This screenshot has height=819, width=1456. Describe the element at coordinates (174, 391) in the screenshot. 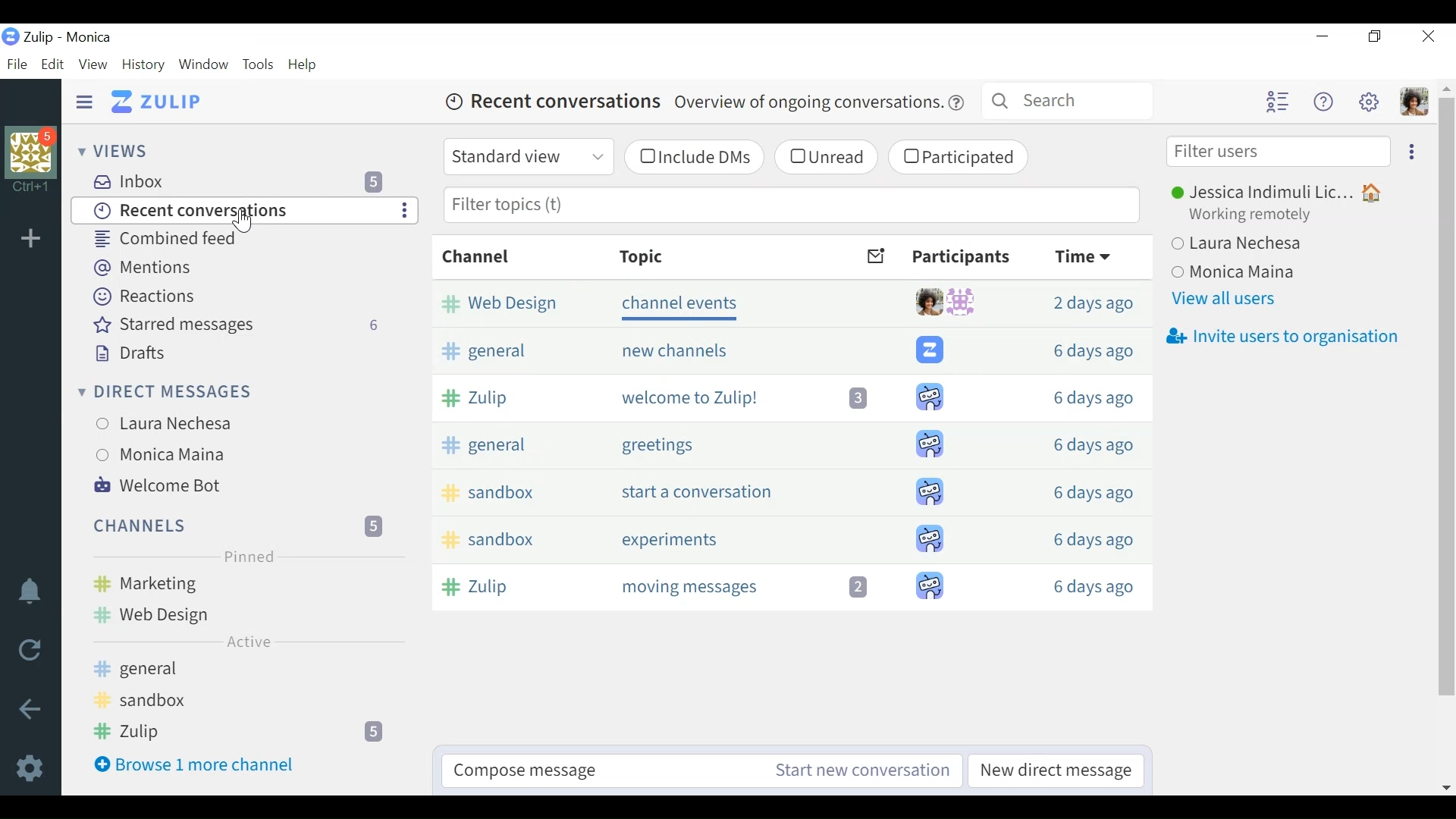

I see `Direct Messages` at that location.